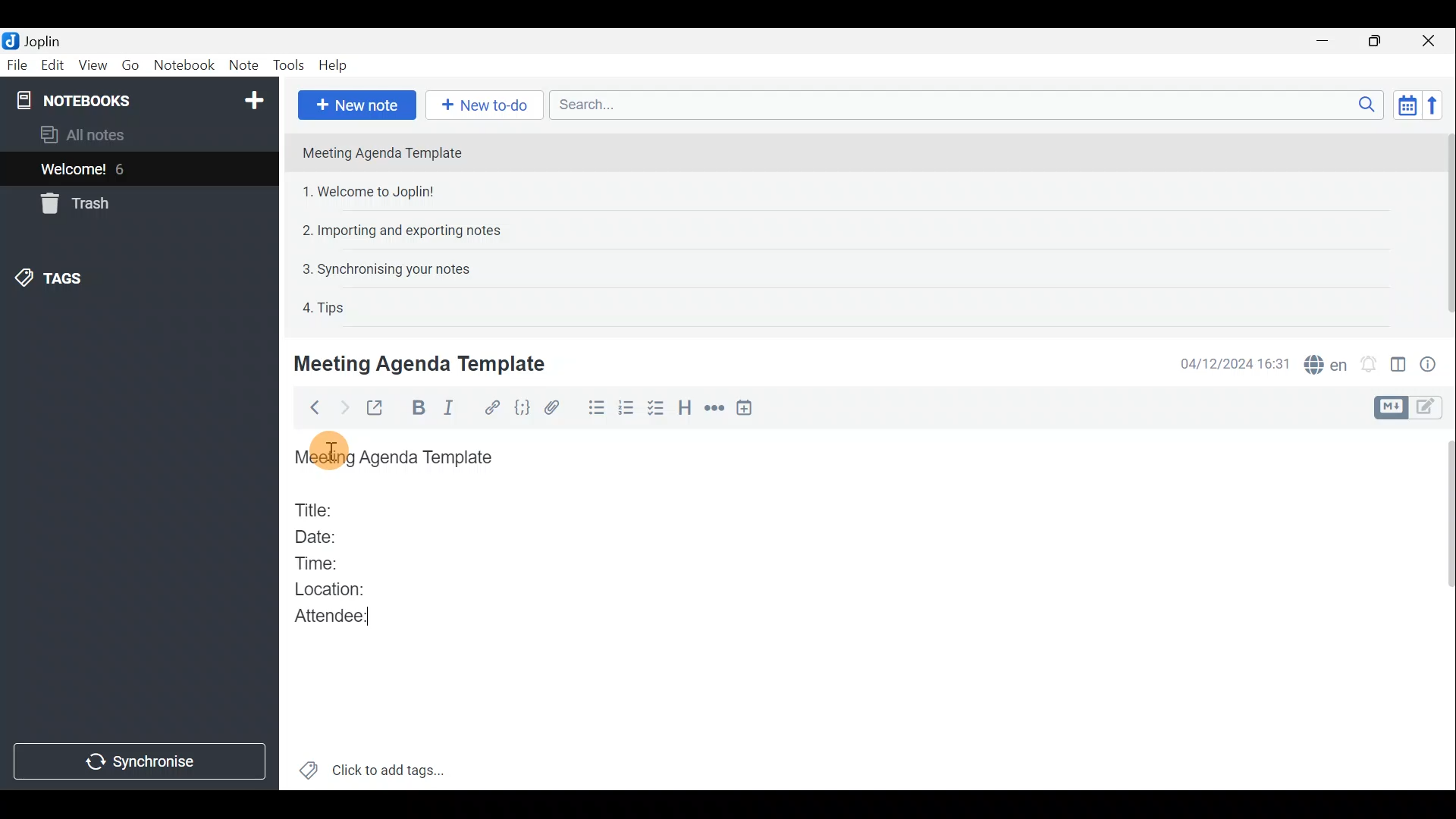 The width and height of the screenshot is (1456, 819). Describe the element at coordinates (962, 104) in the screenshot. I see `Search bar` at that location.